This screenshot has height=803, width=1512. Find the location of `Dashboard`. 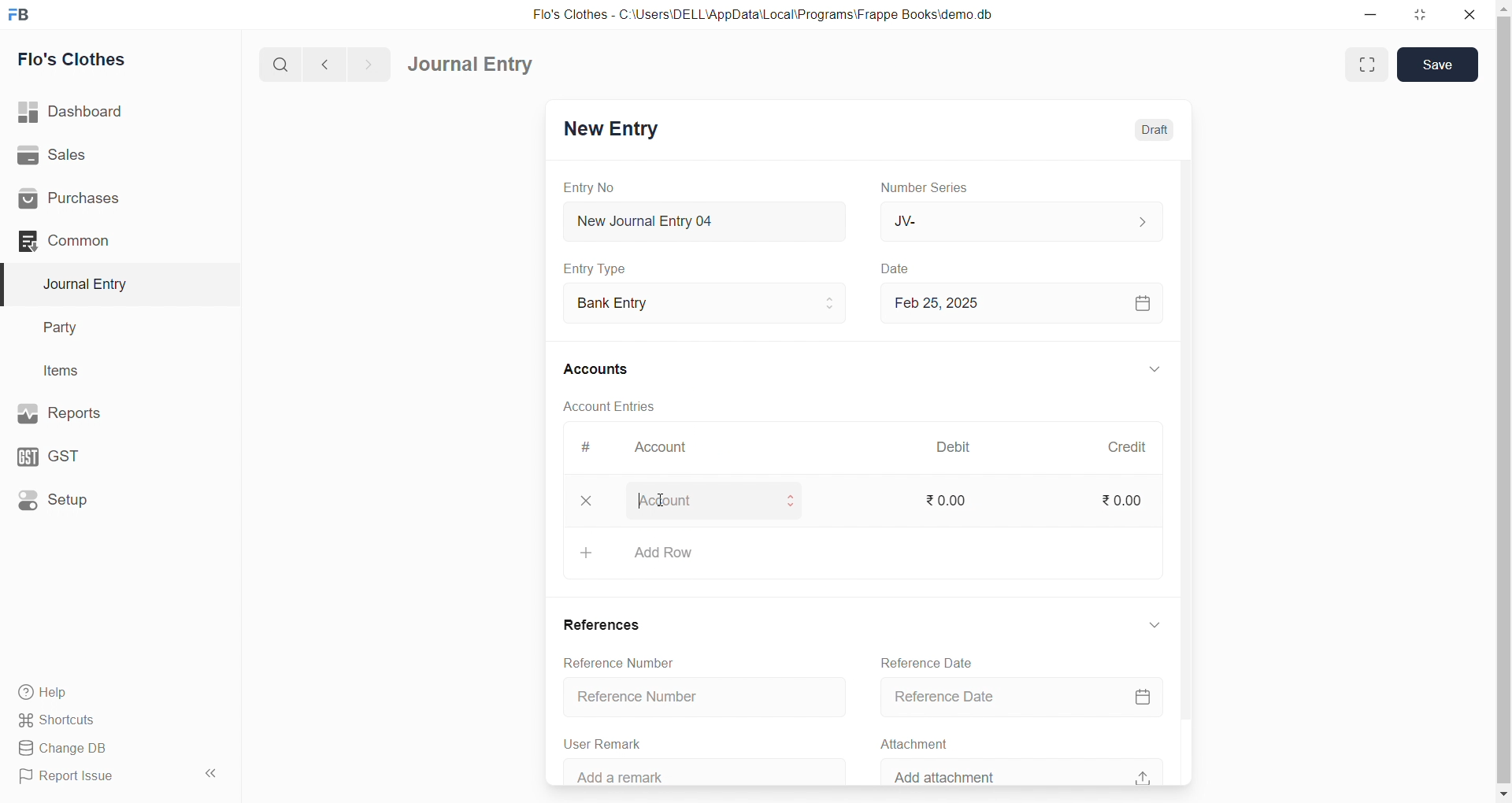

Dashboard is located at coordinates (116, 112).